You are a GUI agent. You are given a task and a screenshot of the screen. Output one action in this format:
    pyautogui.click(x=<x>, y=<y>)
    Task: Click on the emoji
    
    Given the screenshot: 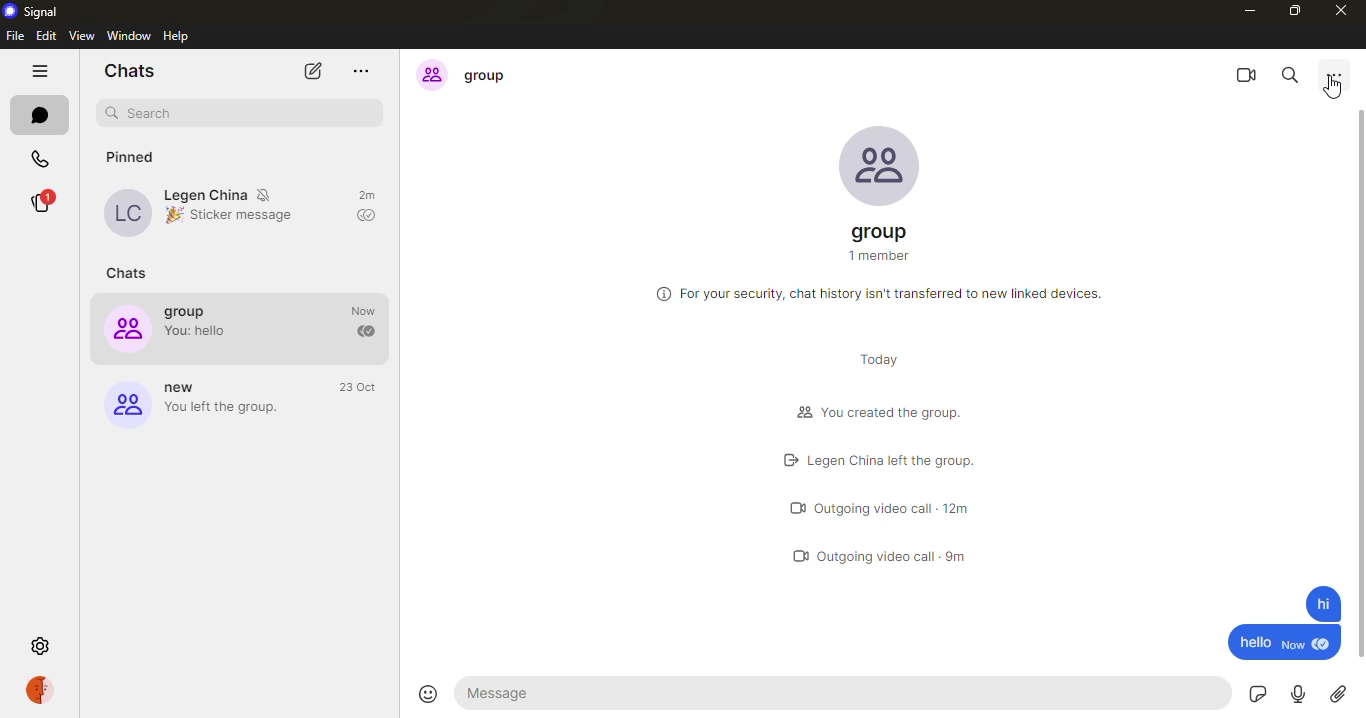 What is the action you would take?
    pyautogui.click(x=173, y=216)
    